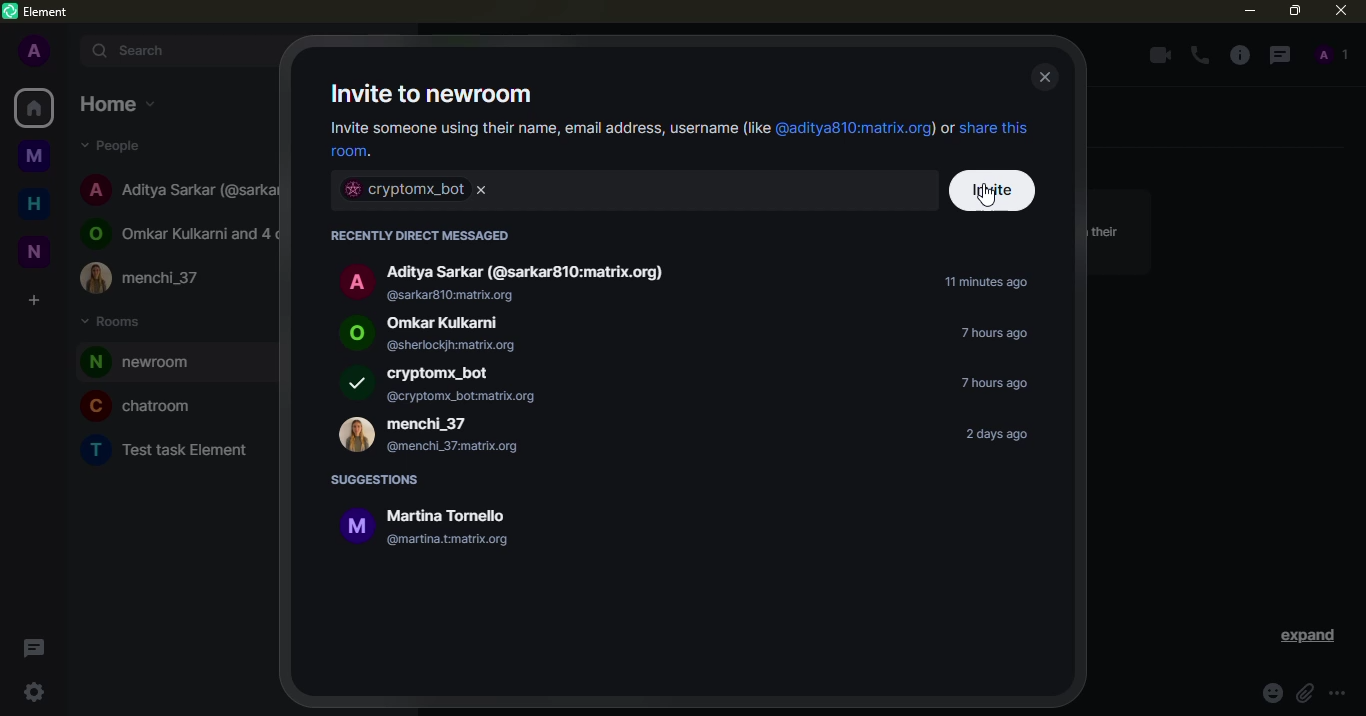 Image resolution: width=1366 pixels, height=716 pixels. What do you see at coordinates (37, 300) in the screenshot?
I see `create space` at bounding box center [37, 300].